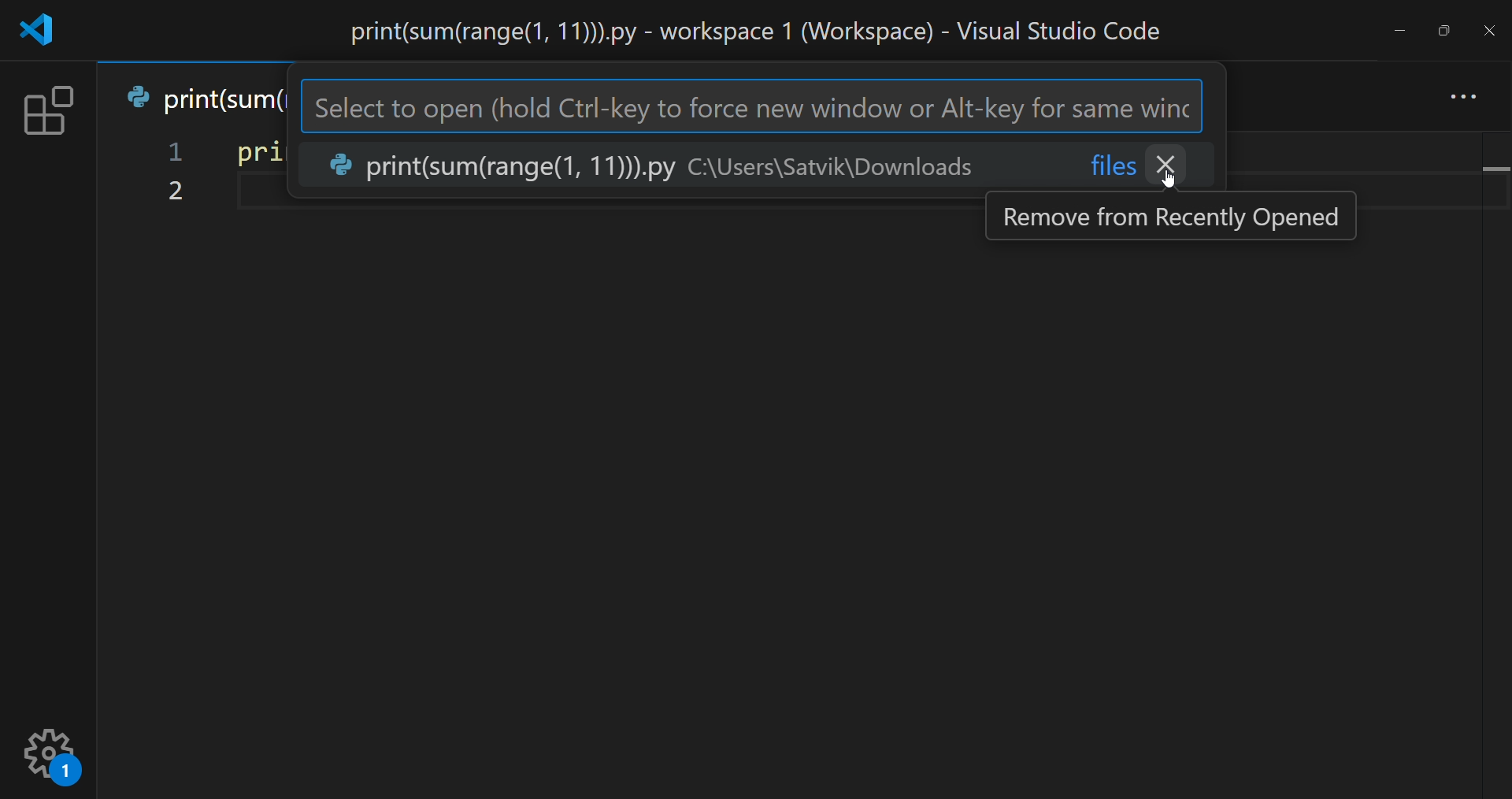 The height and width of the screenshot is (799, 1512). What do you see at coordinates (739, 30) in the screenshot?
I see `print(sum(range(1, 11))).py - workspace 1 (Workspace) - Visual Studio Code` at bounding box center [739, 30].